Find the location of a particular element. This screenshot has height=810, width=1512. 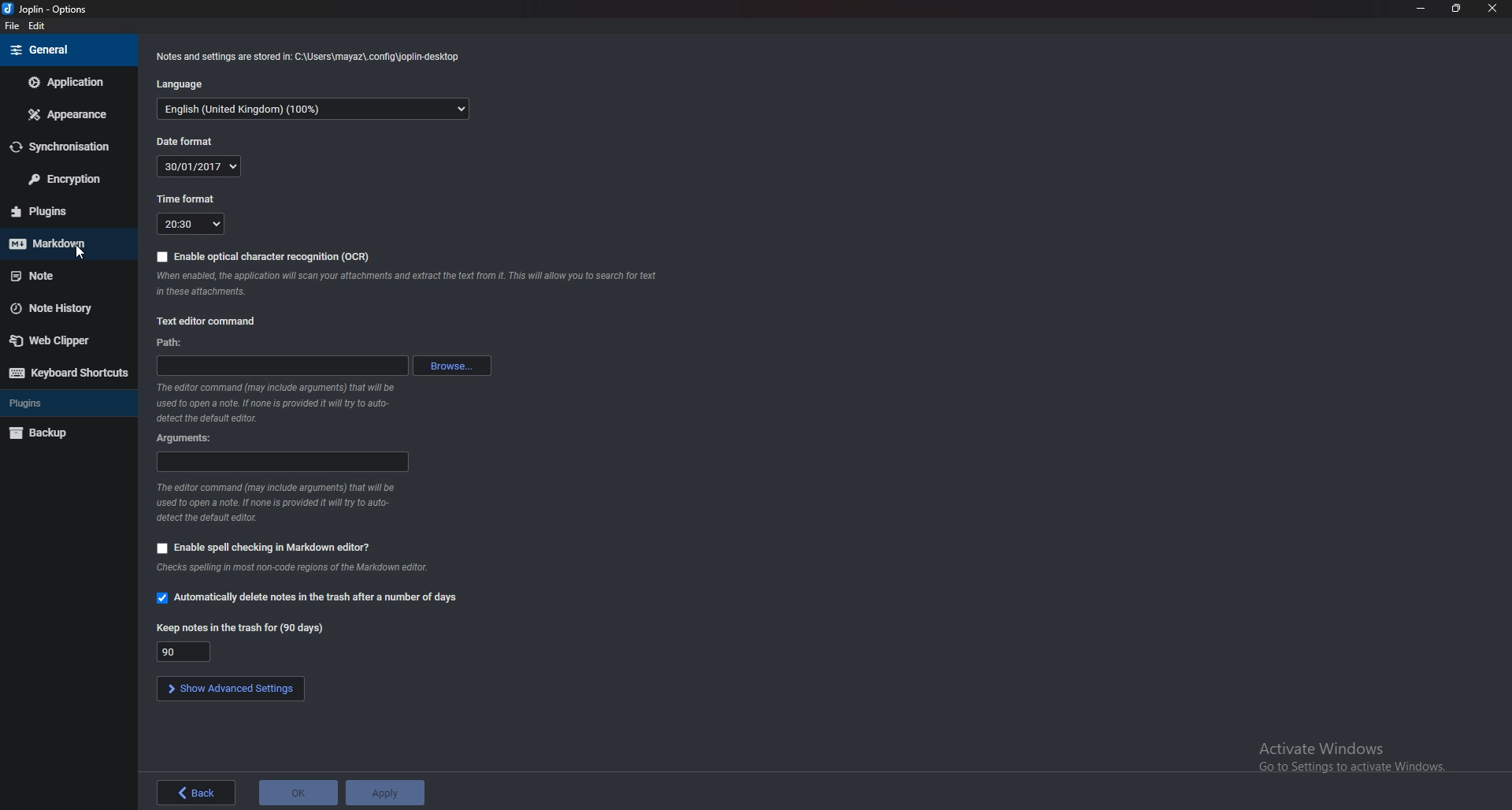

cursor is located at coordinates (73, 254).